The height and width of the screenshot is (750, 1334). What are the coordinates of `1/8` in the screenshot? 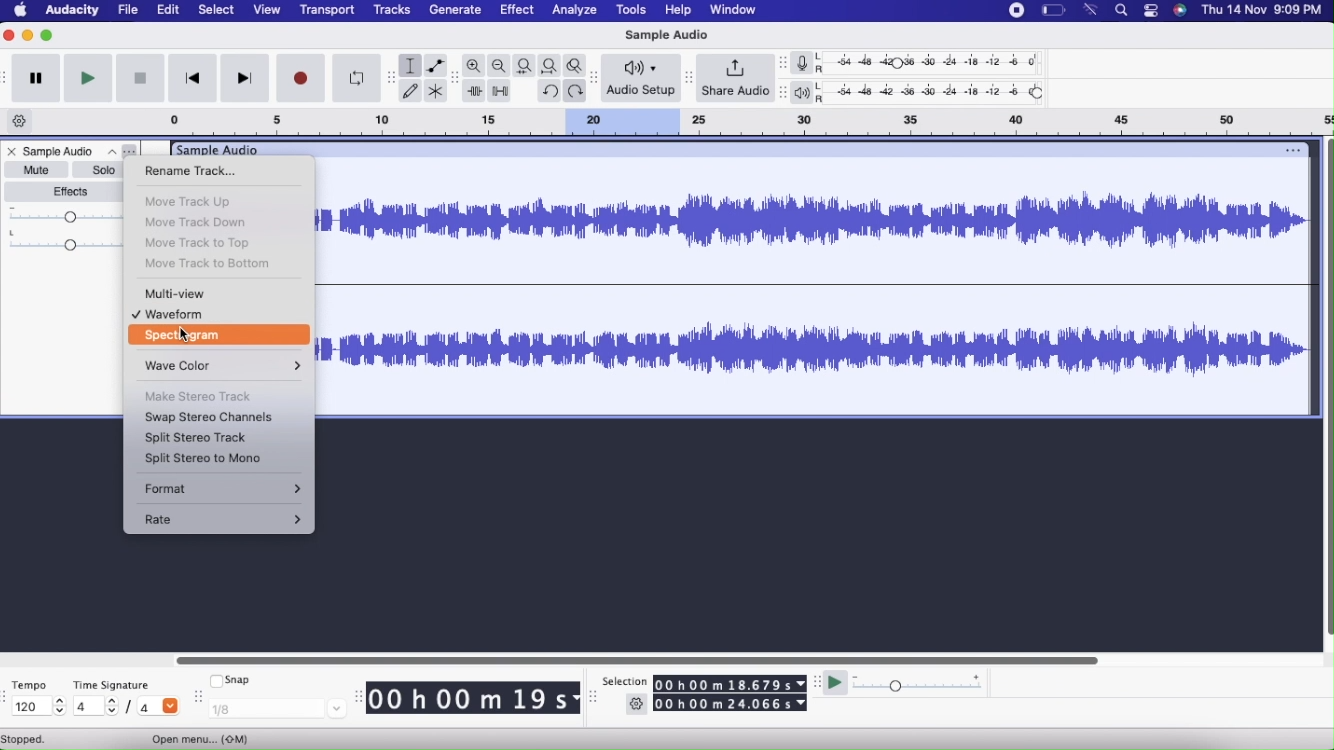 It's located at (284, 709).